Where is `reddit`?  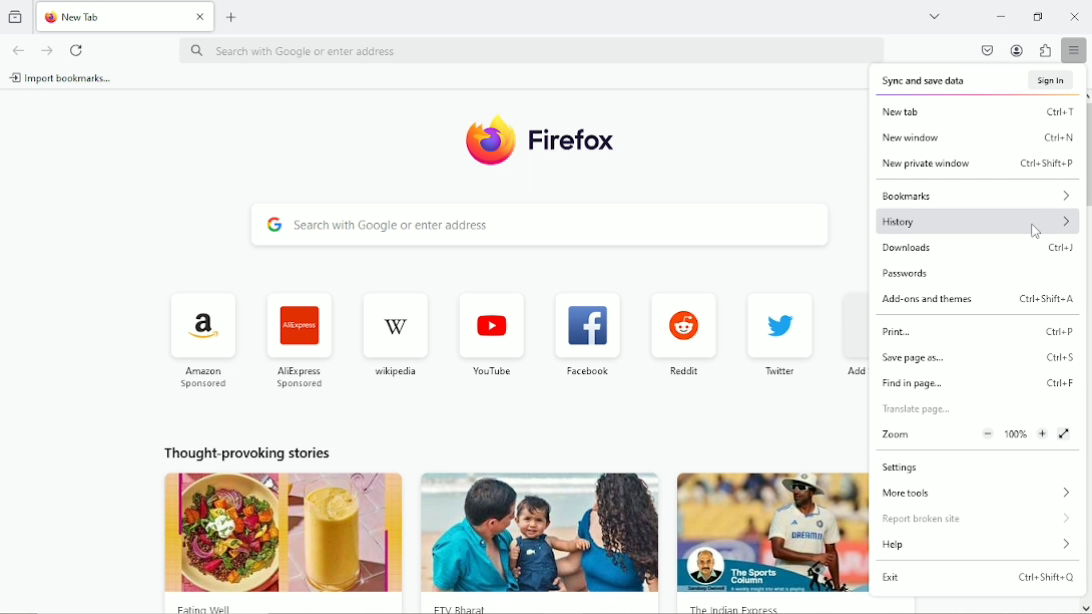 reddit is located at coordinates (683, 373).